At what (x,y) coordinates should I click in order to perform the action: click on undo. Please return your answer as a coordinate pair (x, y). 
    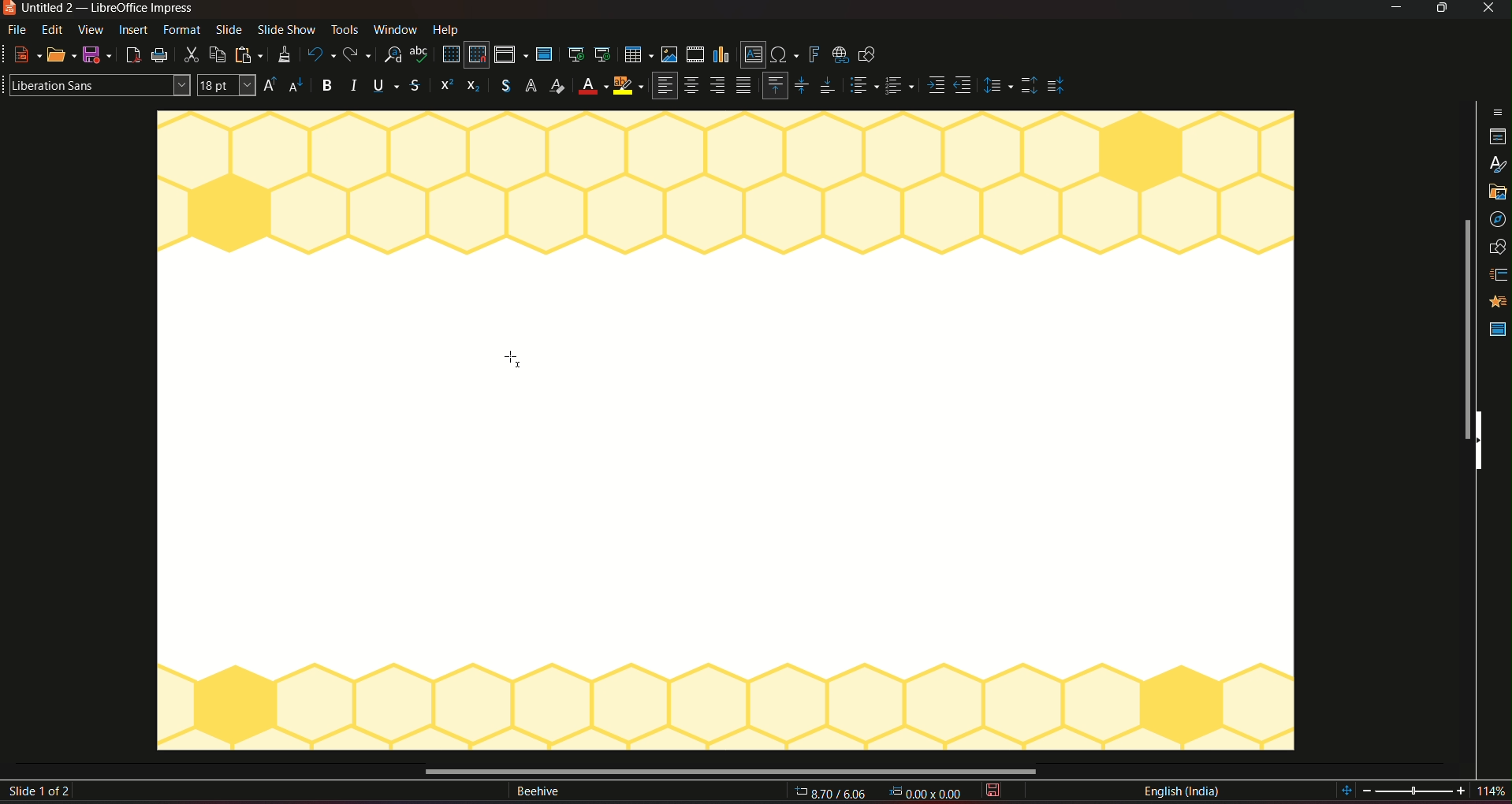
    Looking at the image, I should click on (320, 54).